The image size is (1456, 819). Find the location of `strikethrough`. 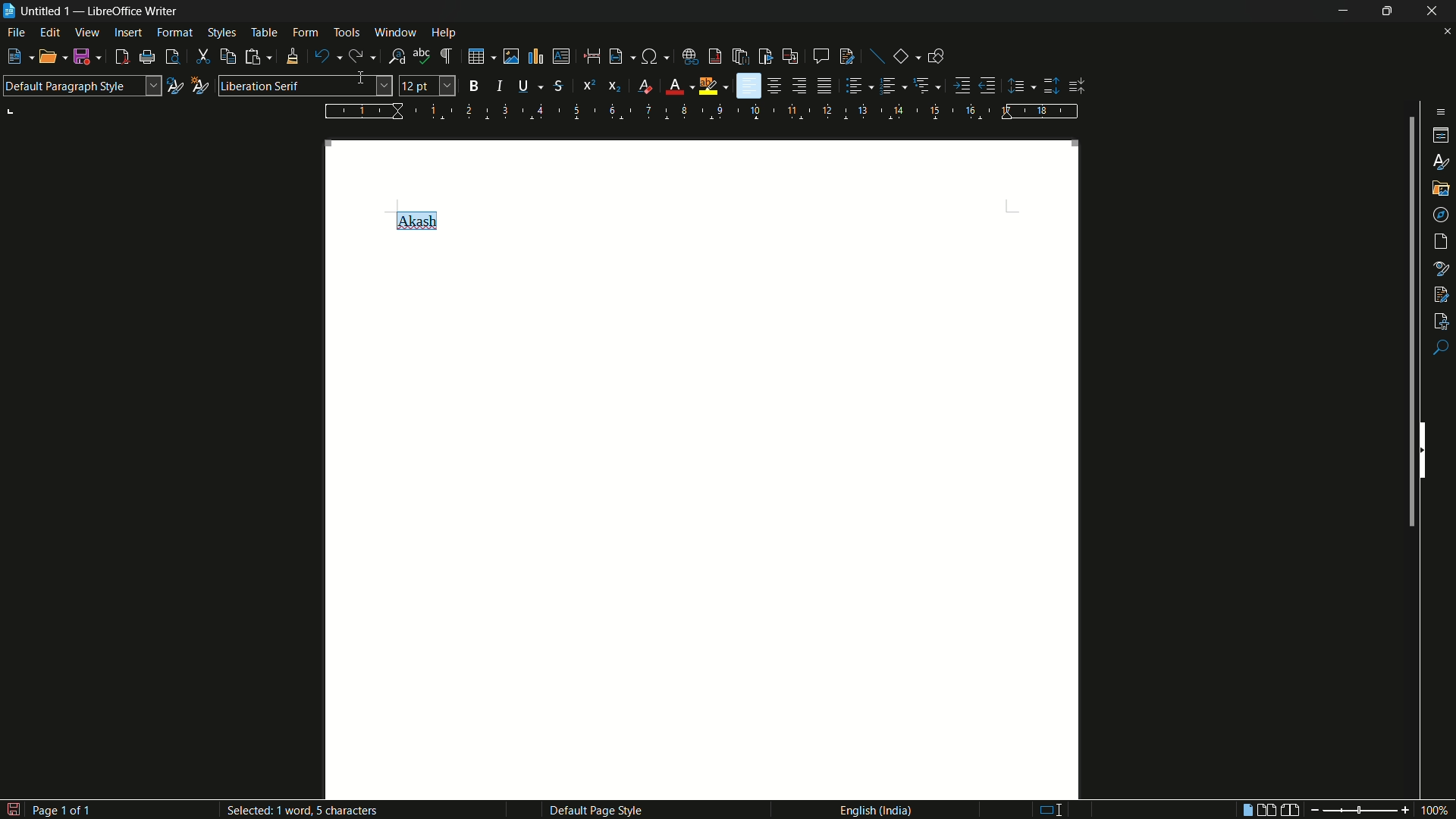

strikethrough is located at coordinates (557, 86).